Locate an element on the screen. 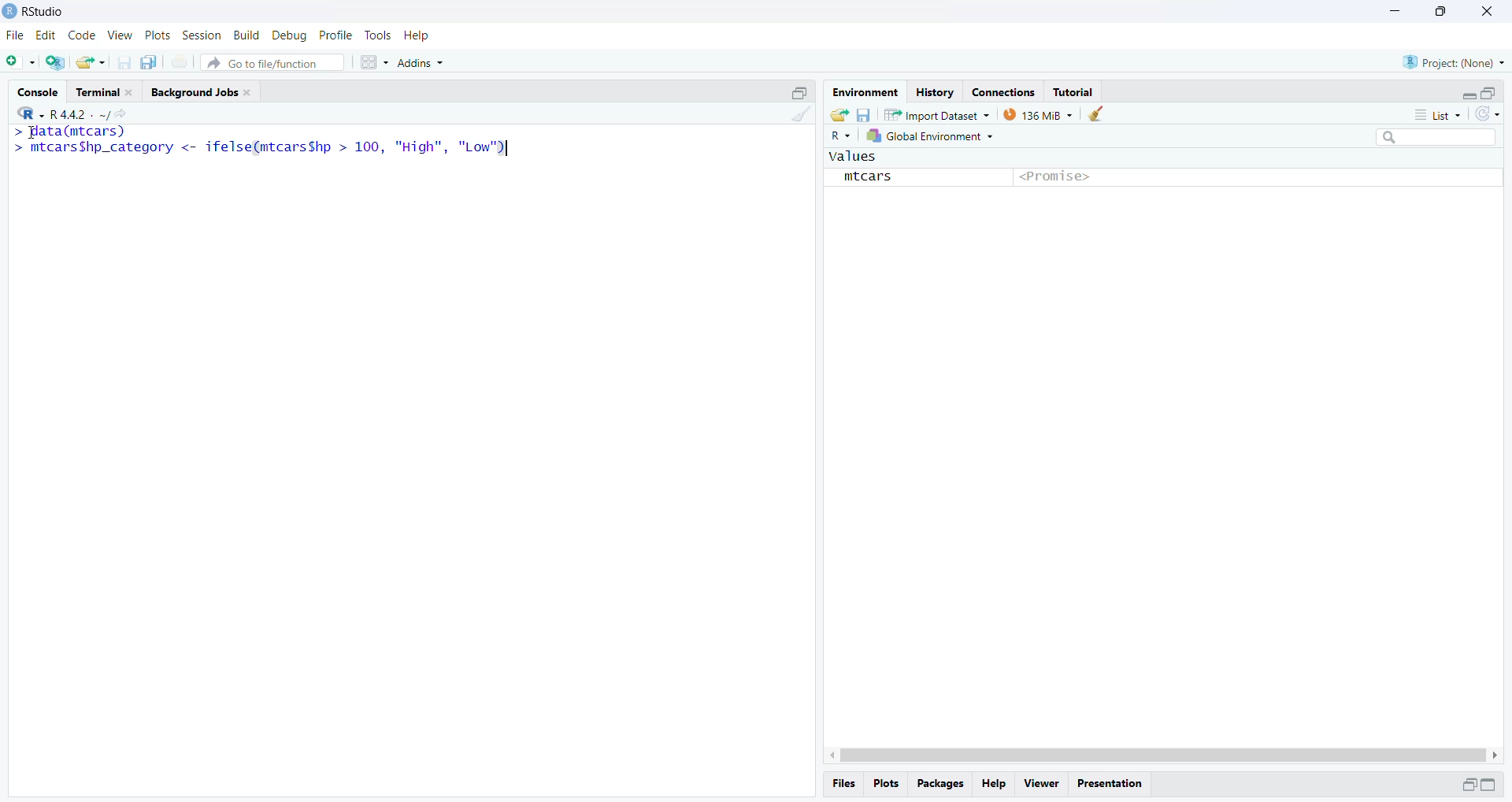  Tools is located at coordinates (378, 35).